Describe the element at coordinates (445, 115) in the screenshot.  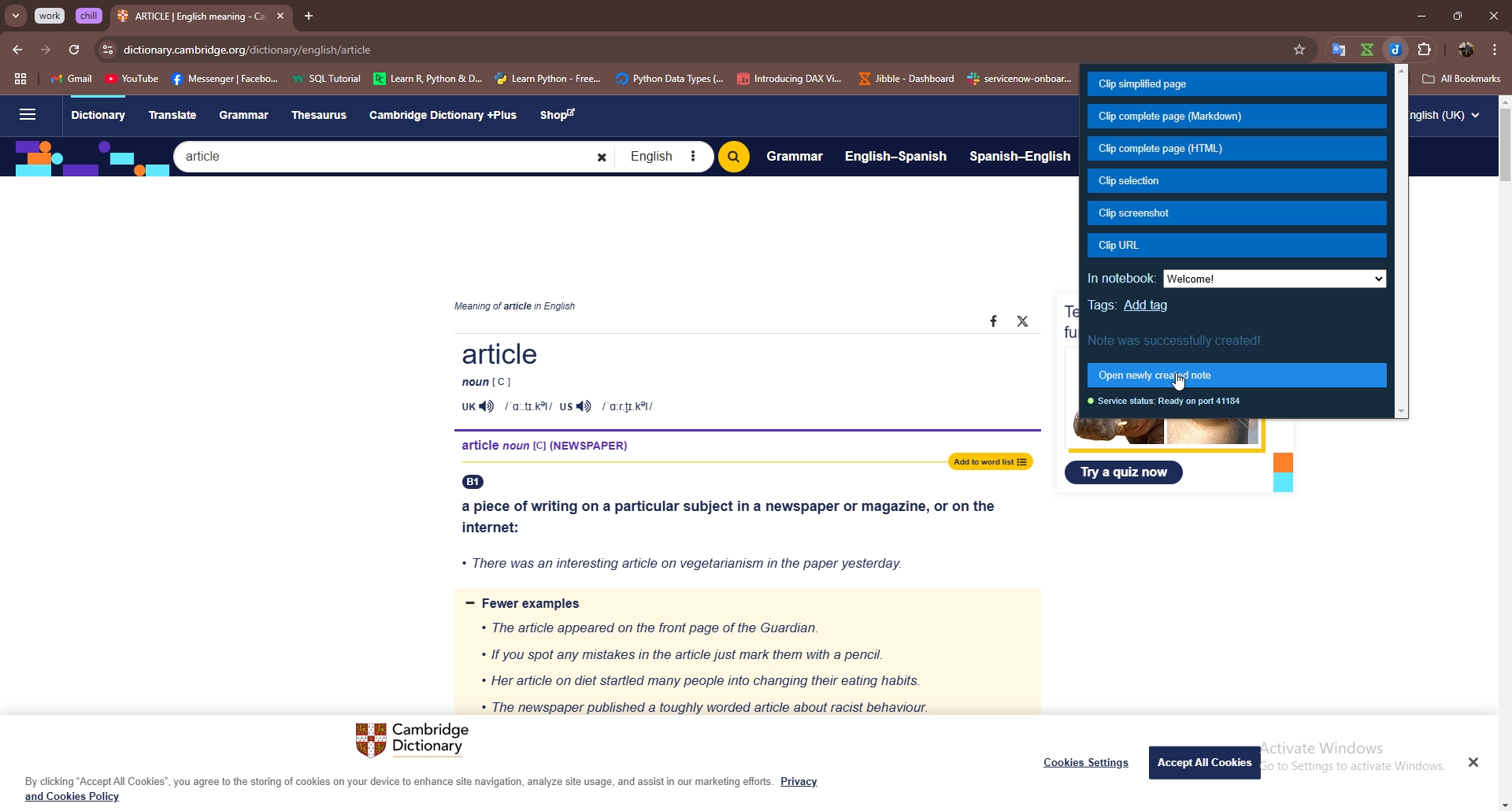
I see `Cambridge Dictionary +Plus` at that location.